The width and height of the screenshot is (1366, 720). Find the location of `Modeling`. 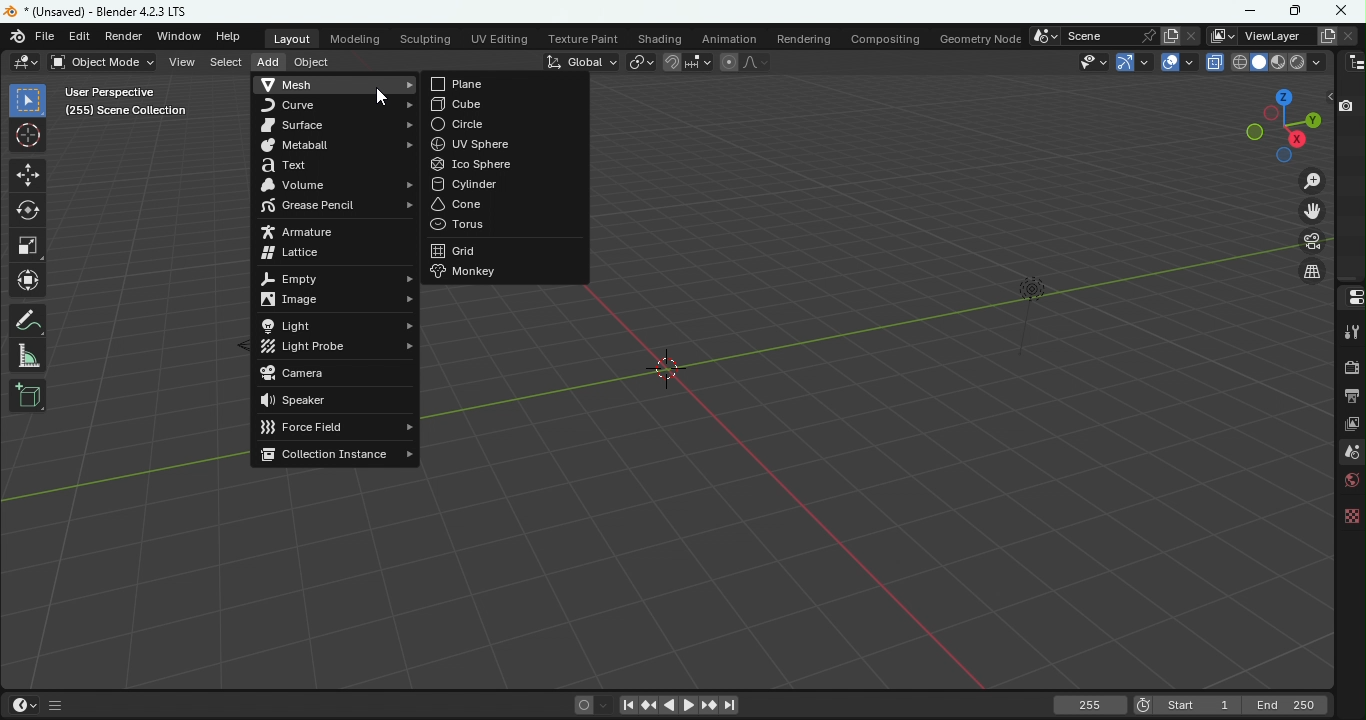

Modeling is located at coordinates (354, 37).